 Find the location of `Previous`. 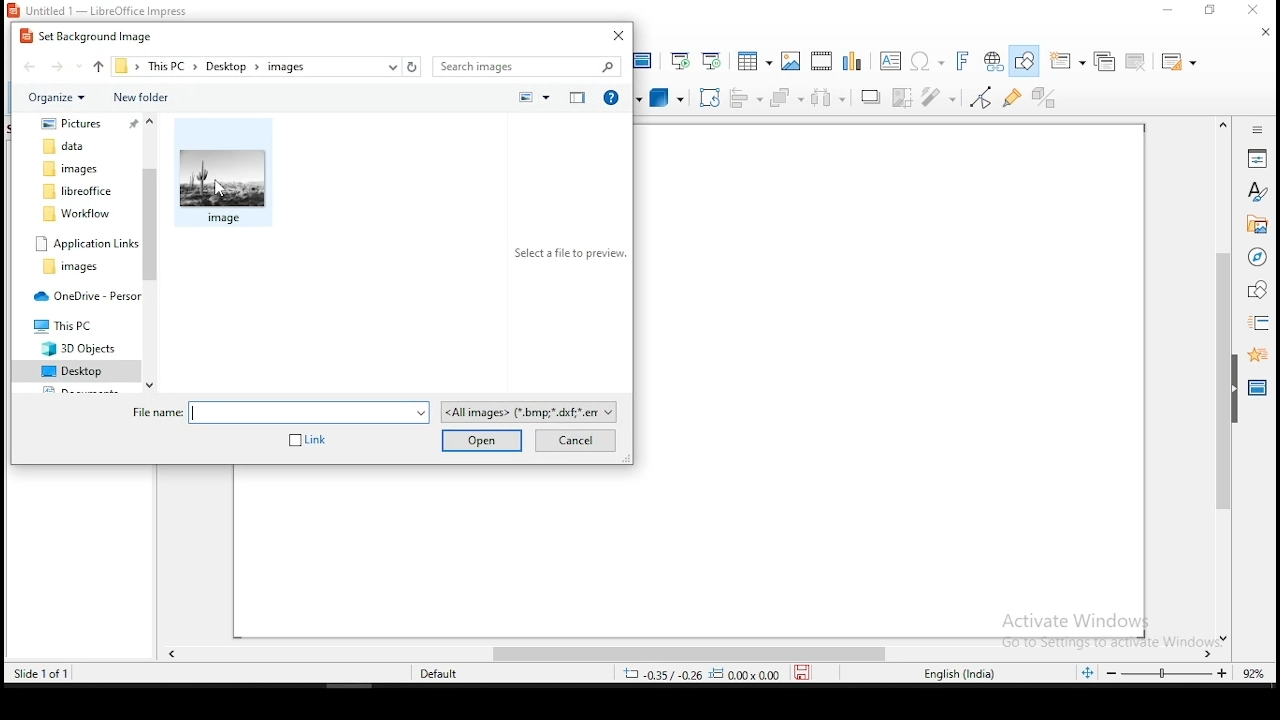

Previous is located at coordinates (98, 66).